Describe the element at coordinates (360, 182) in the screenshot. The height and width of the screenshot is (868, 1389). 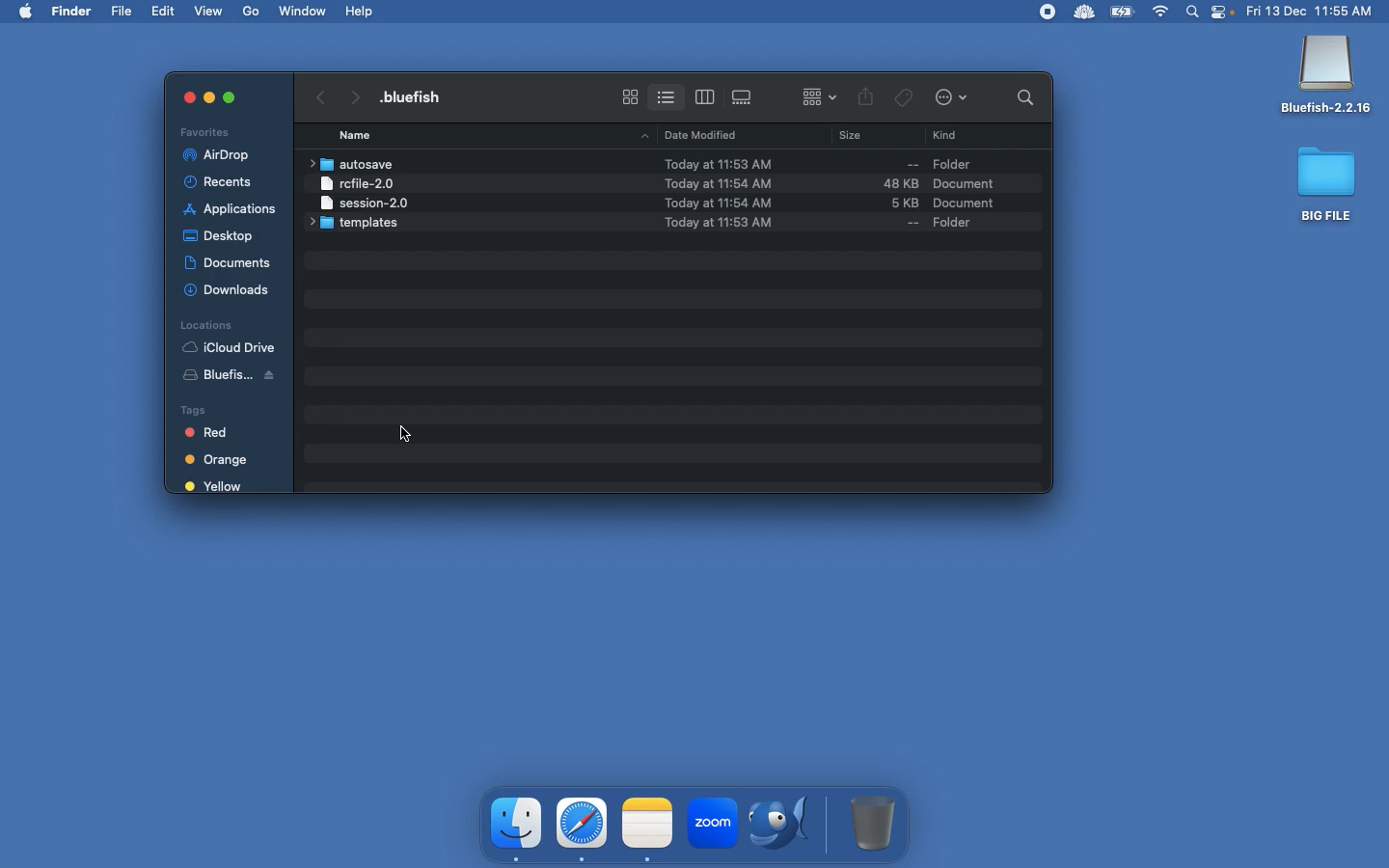
I see `rcfile-2.0` at that location.